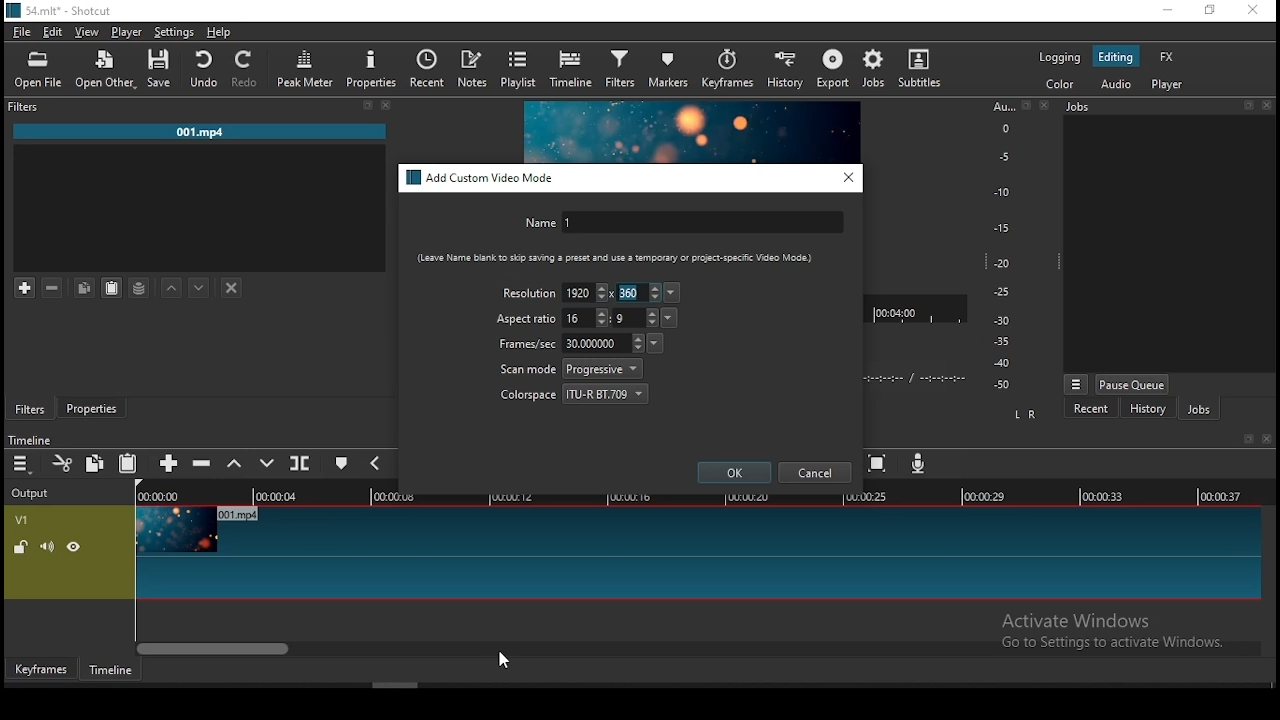  I want to click on minimize, so click(1167, 11).